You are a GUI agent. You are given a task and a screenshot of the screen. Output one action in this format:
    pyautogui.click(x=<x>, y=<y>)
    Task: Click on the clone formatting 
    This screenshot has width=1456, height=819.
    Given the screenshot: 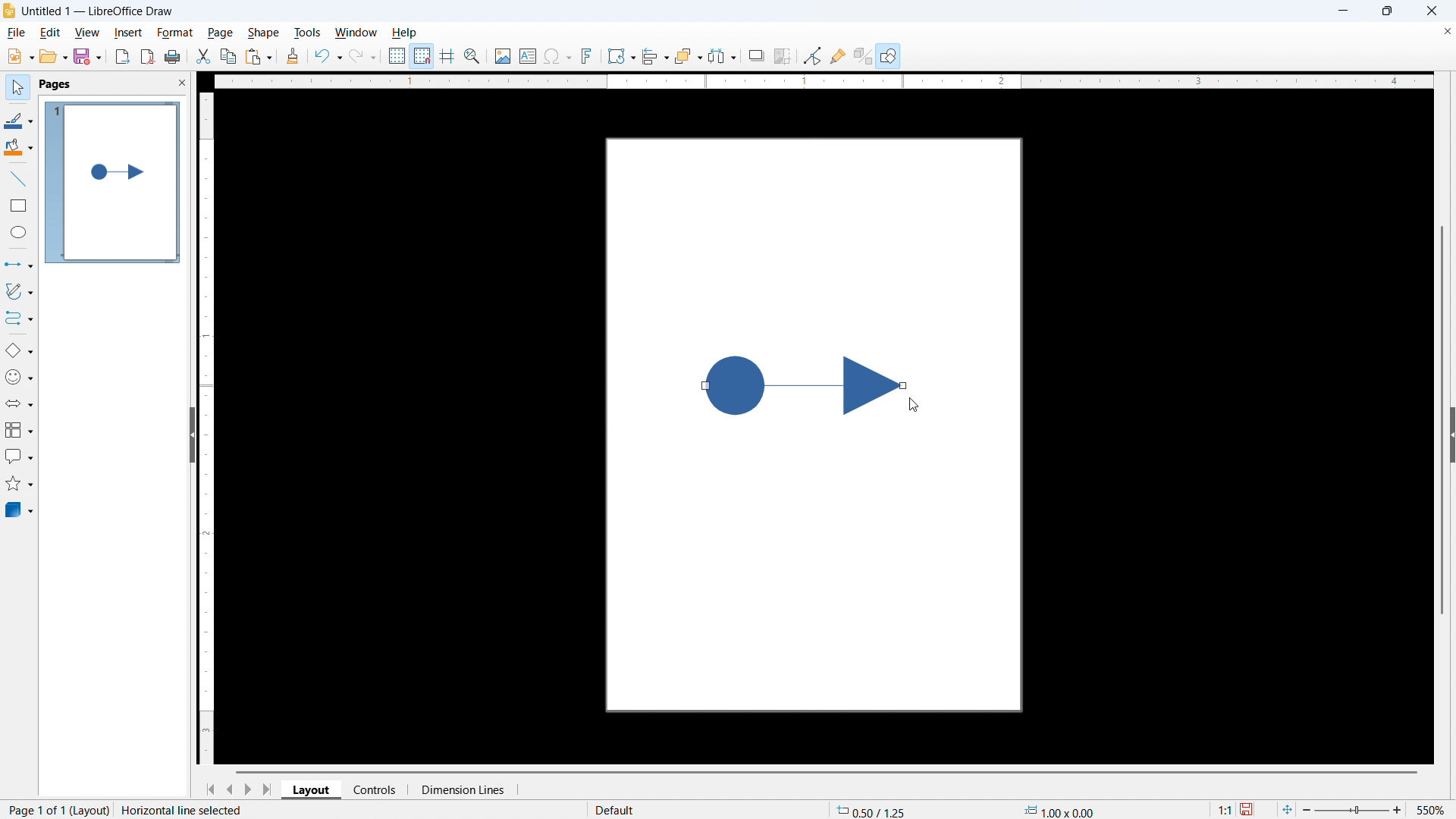 What is the action you would take?
    pyautogui.click(x=293, y=57)
    